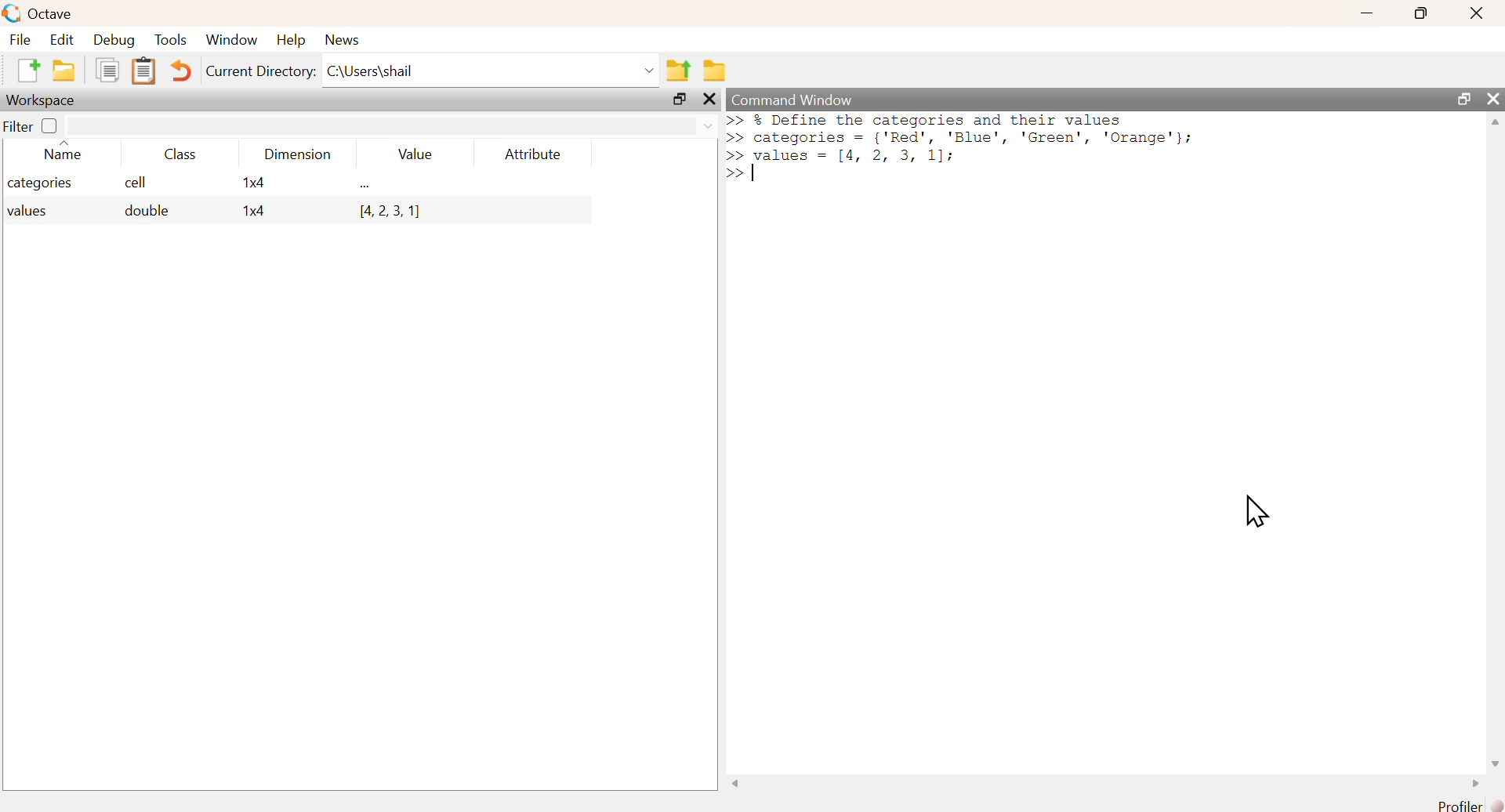  Describe the element at coordinates (710, 99) in the screenshot. I see `close` at that location.